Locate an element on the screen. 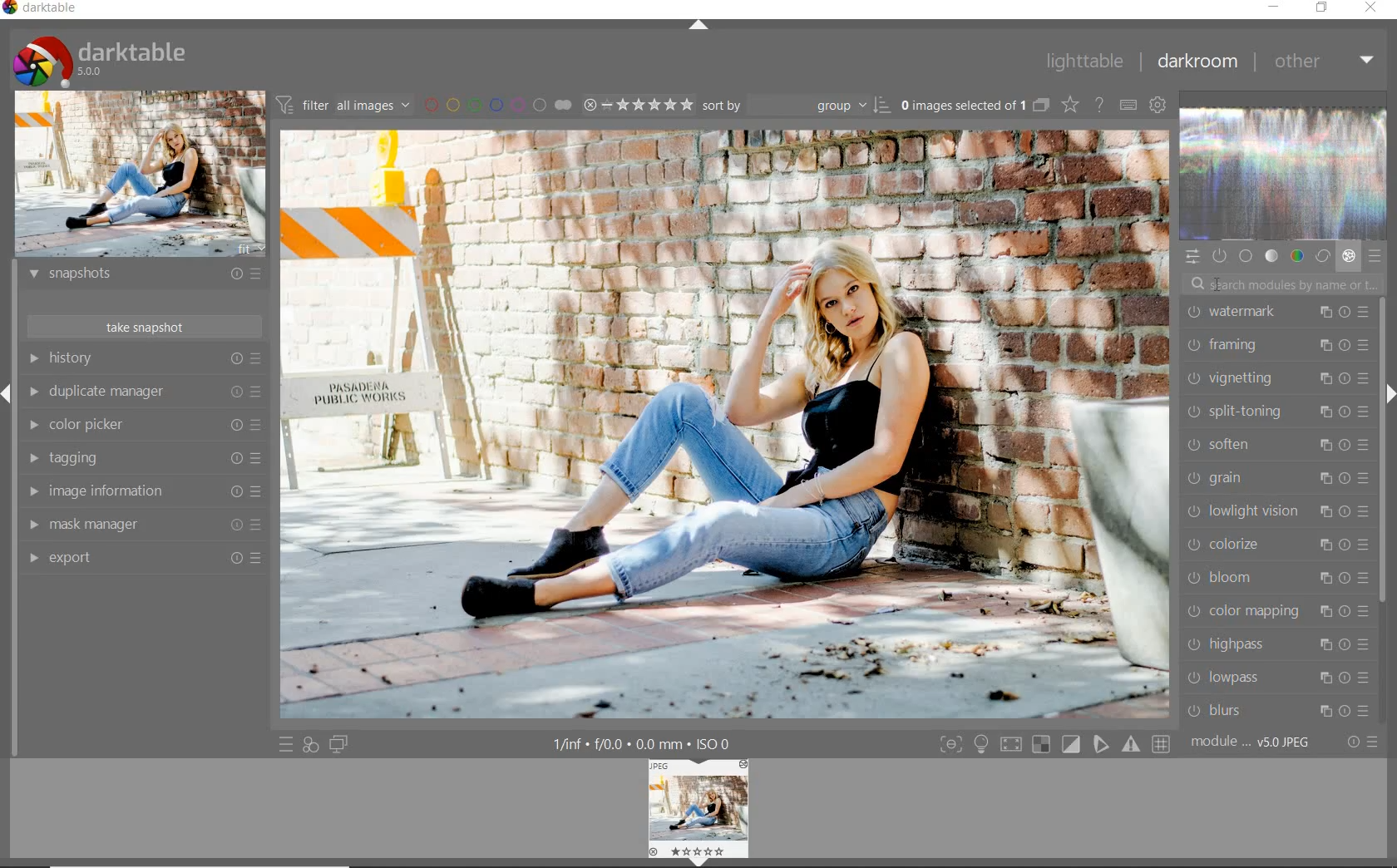 Image resolution: width=1397 pixels, height=868 pixels. other is located at coordinates (1323, 62).